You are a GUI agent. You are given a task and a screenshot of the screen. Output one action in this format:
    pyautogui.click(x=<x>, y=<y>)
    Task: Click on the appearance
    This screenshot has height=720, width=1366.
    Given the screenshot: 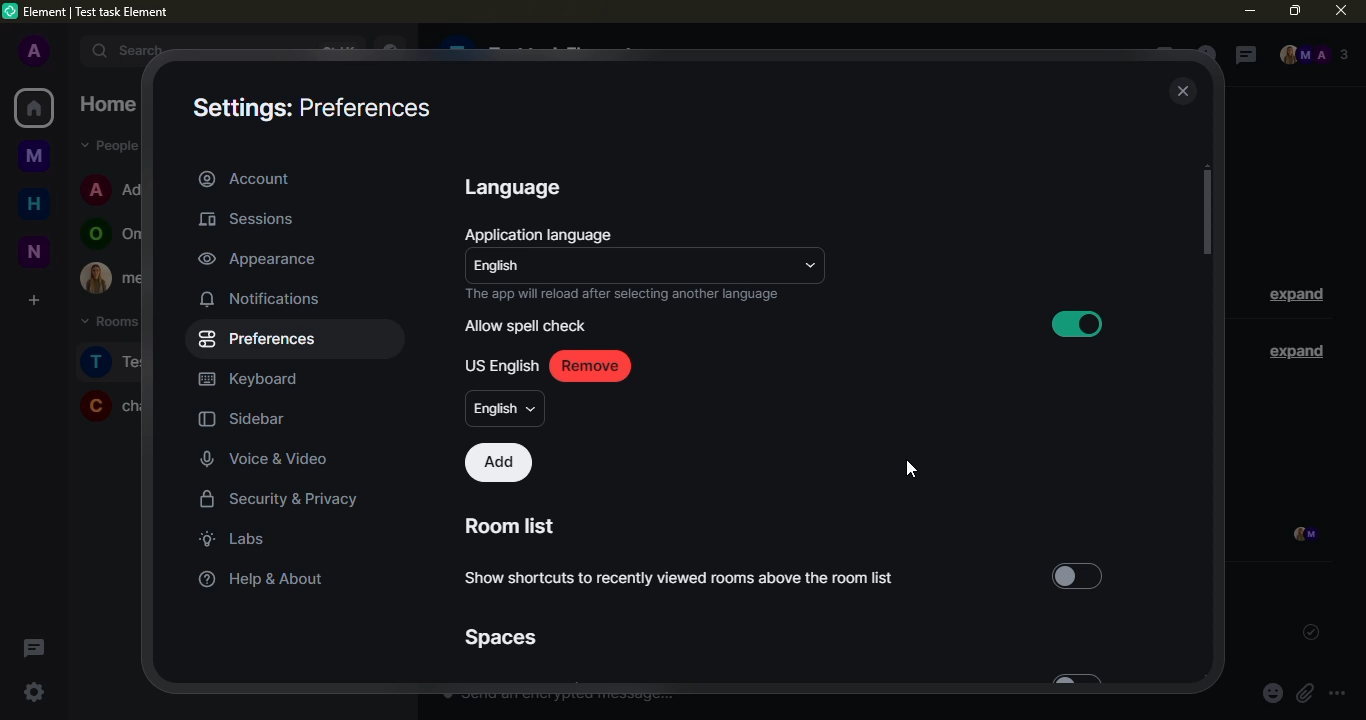 What is the action you would take?
    pyautogui.click(x=258, y=258)
    